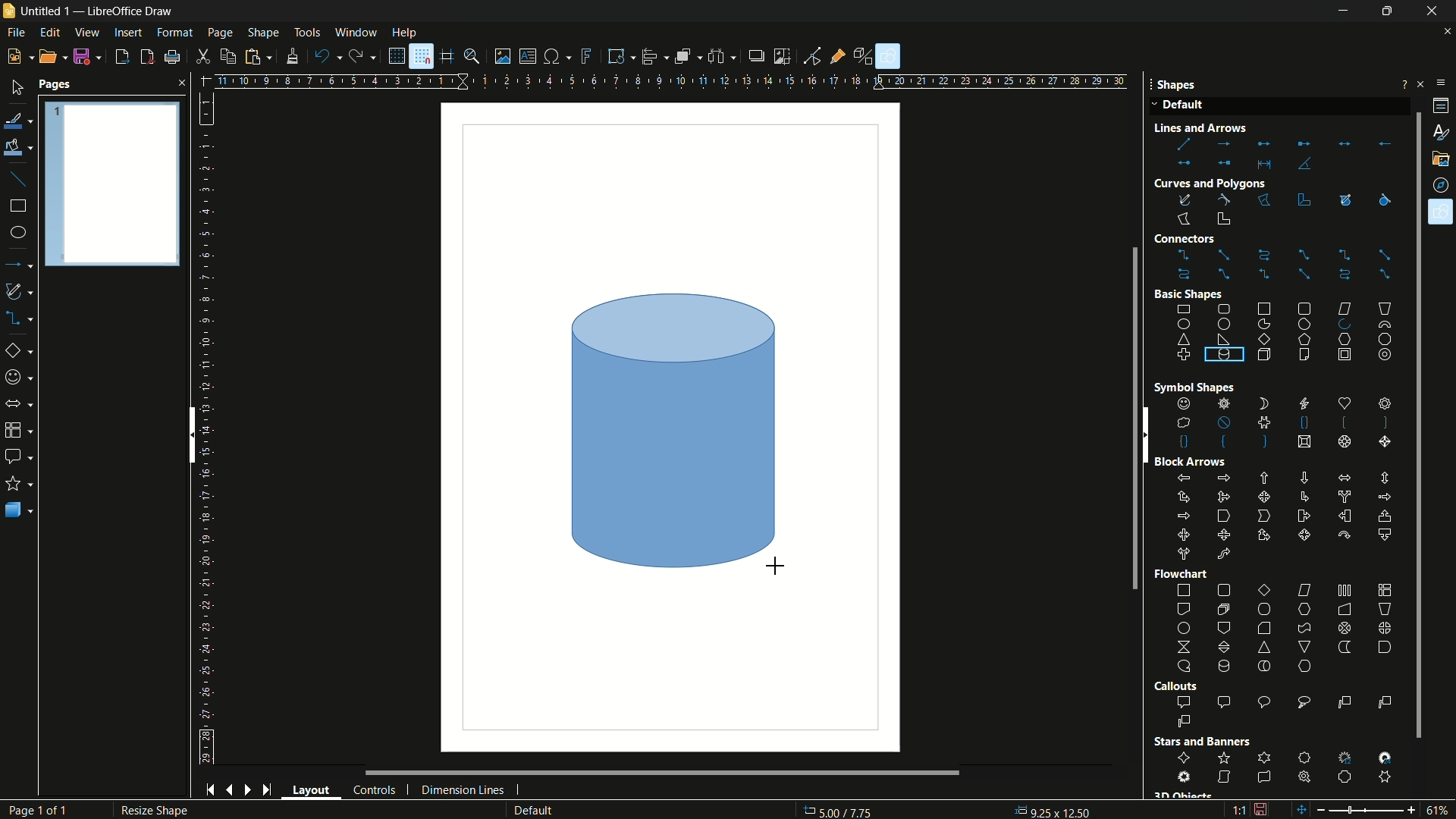 This screenshot has height=819, width=1456. Describe the element at coordinates (463, 792) in the screenshot. I see `dimension lines` at that location.